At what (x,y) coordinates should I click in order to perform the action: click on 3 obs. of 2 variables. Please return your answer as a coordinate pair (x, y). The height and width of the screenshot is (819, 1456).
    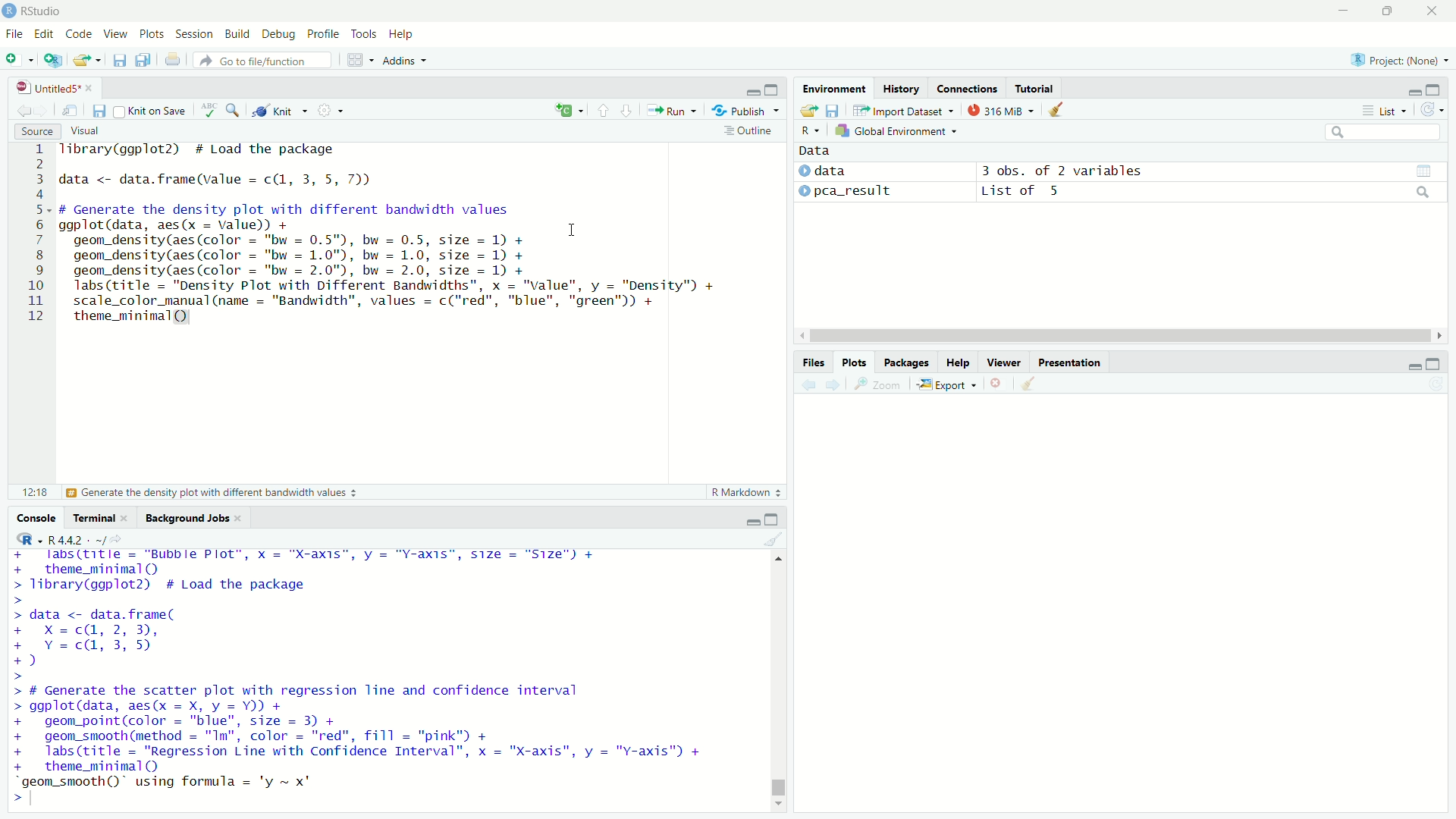
    Looking at the image, I should click on (1062, 171).